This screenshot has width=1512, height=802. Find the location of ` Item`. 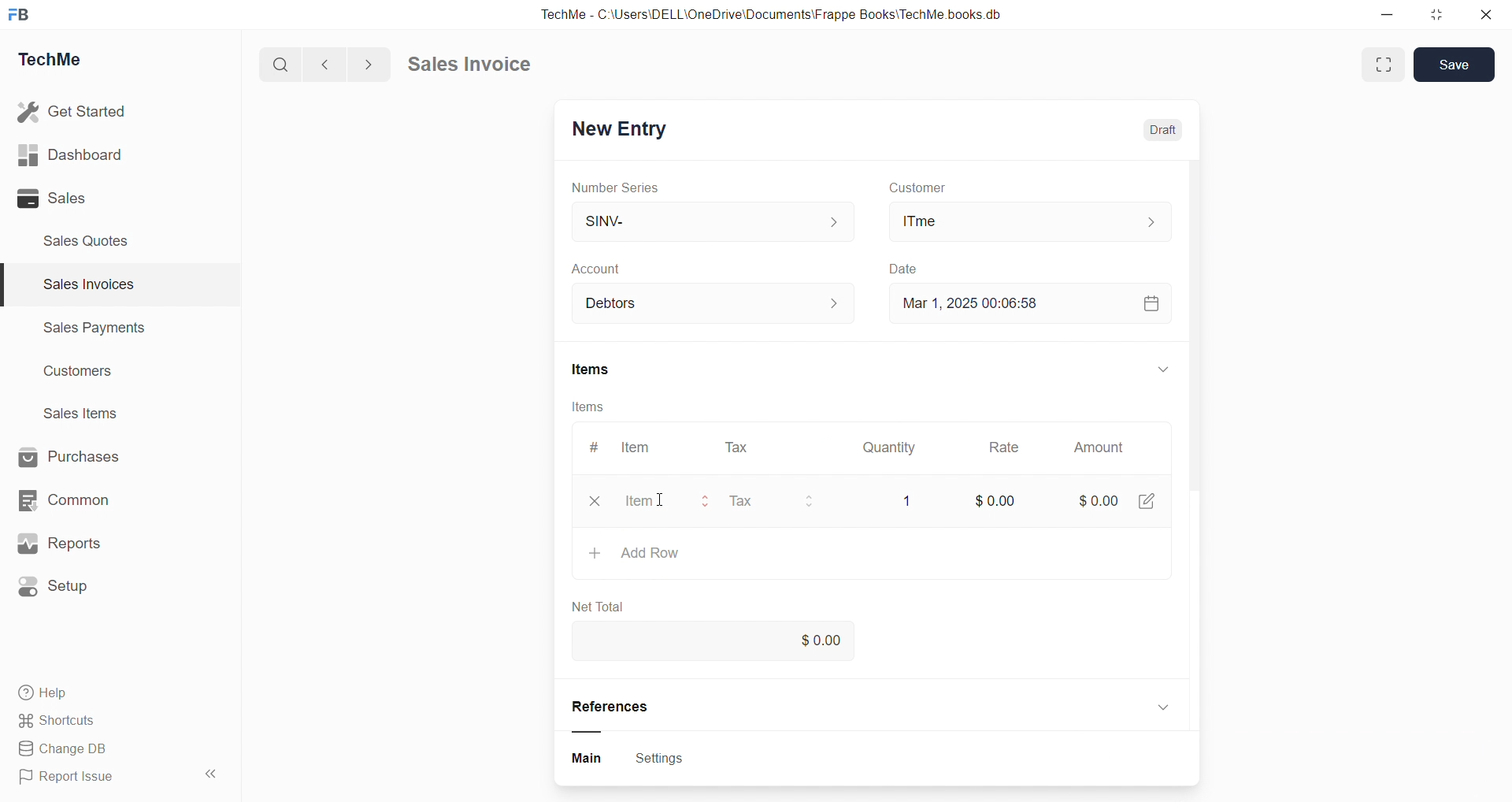

 Item is located at coordinates (632, 498).